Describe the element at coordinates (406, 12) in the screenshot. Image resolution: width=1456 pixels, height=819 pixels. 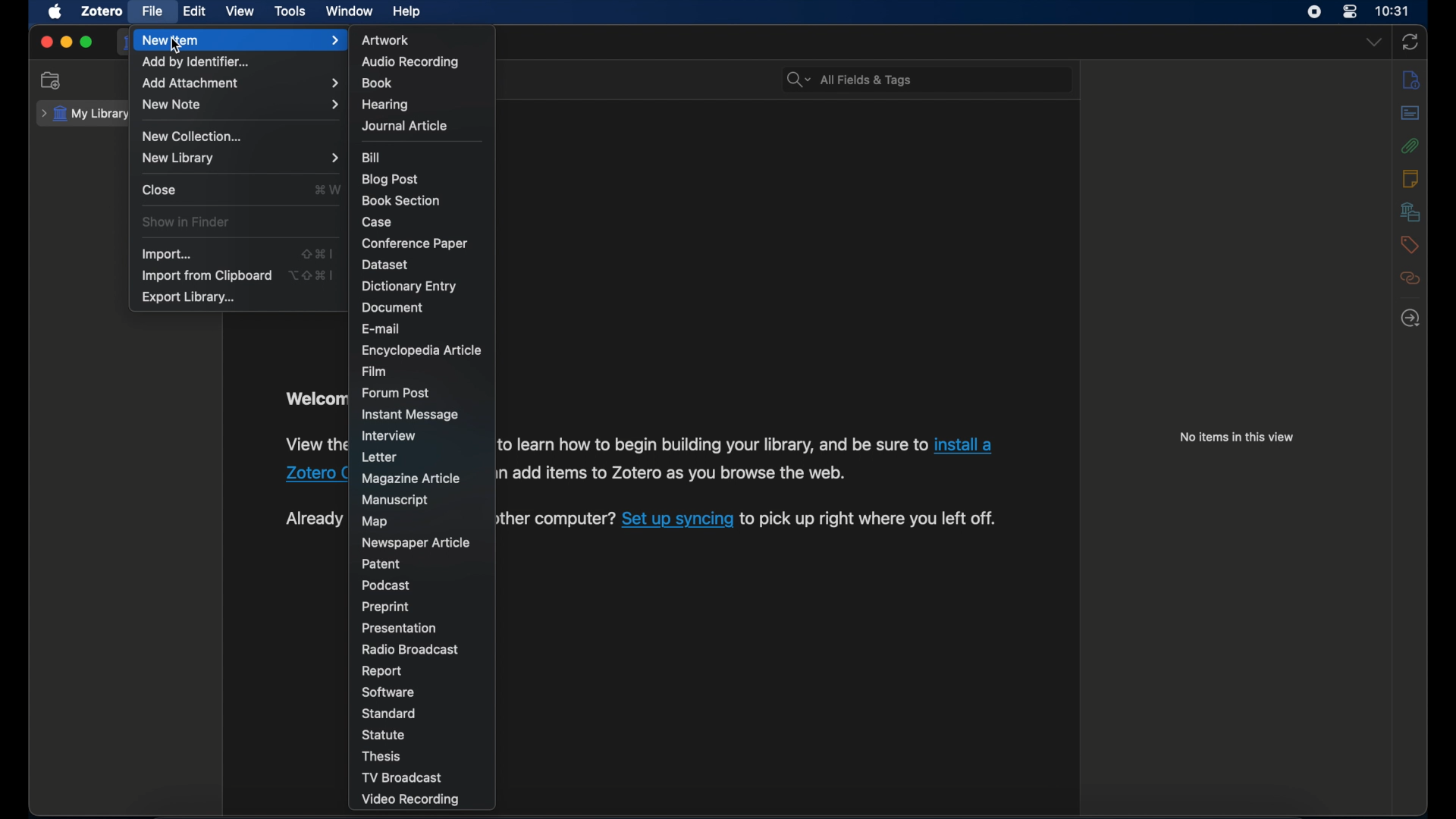
I see `help` at that location.